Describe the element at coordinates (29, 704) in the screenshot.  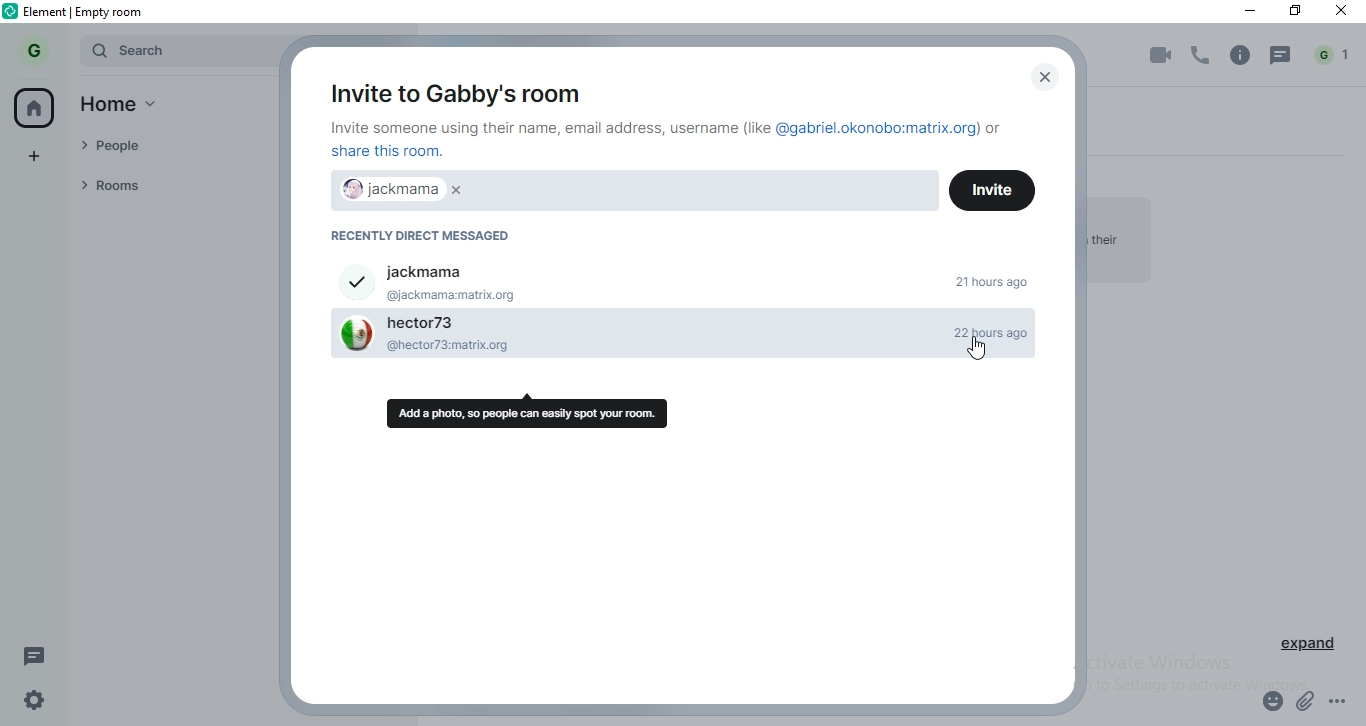
I see `settings` at that location.